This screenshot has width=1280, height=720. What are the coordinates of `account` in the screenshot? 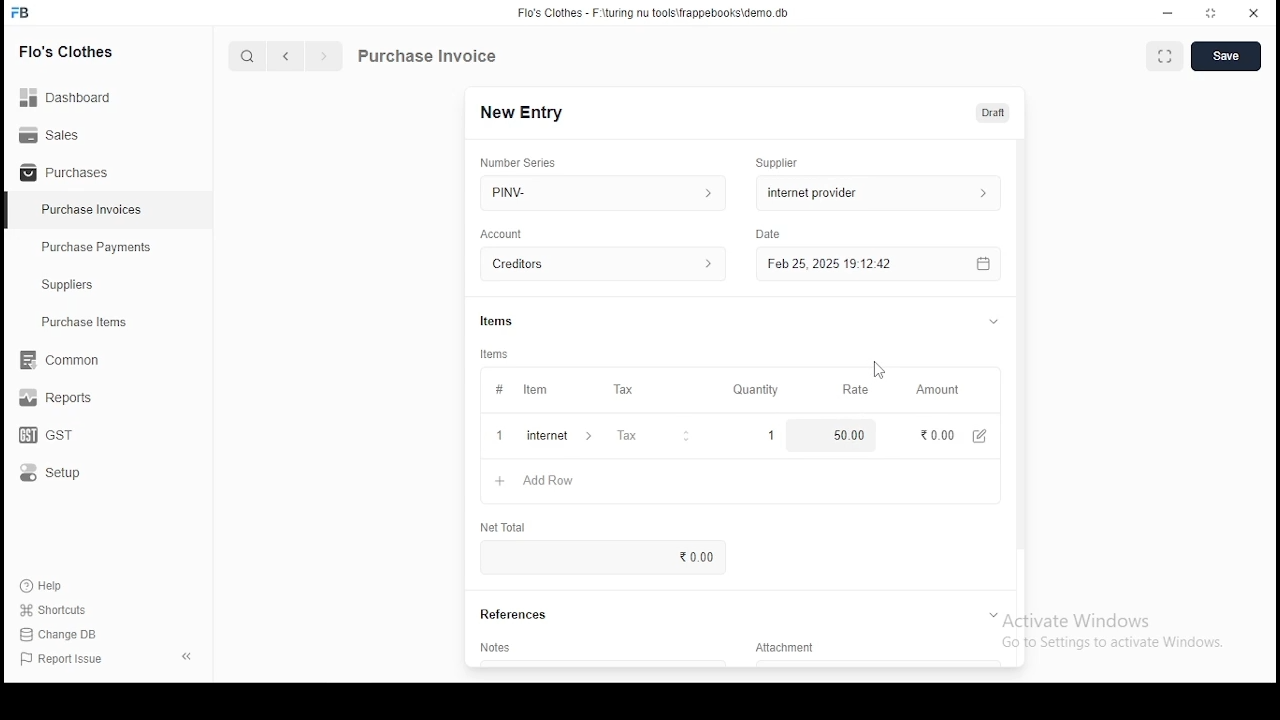 It's located at (604, 265).